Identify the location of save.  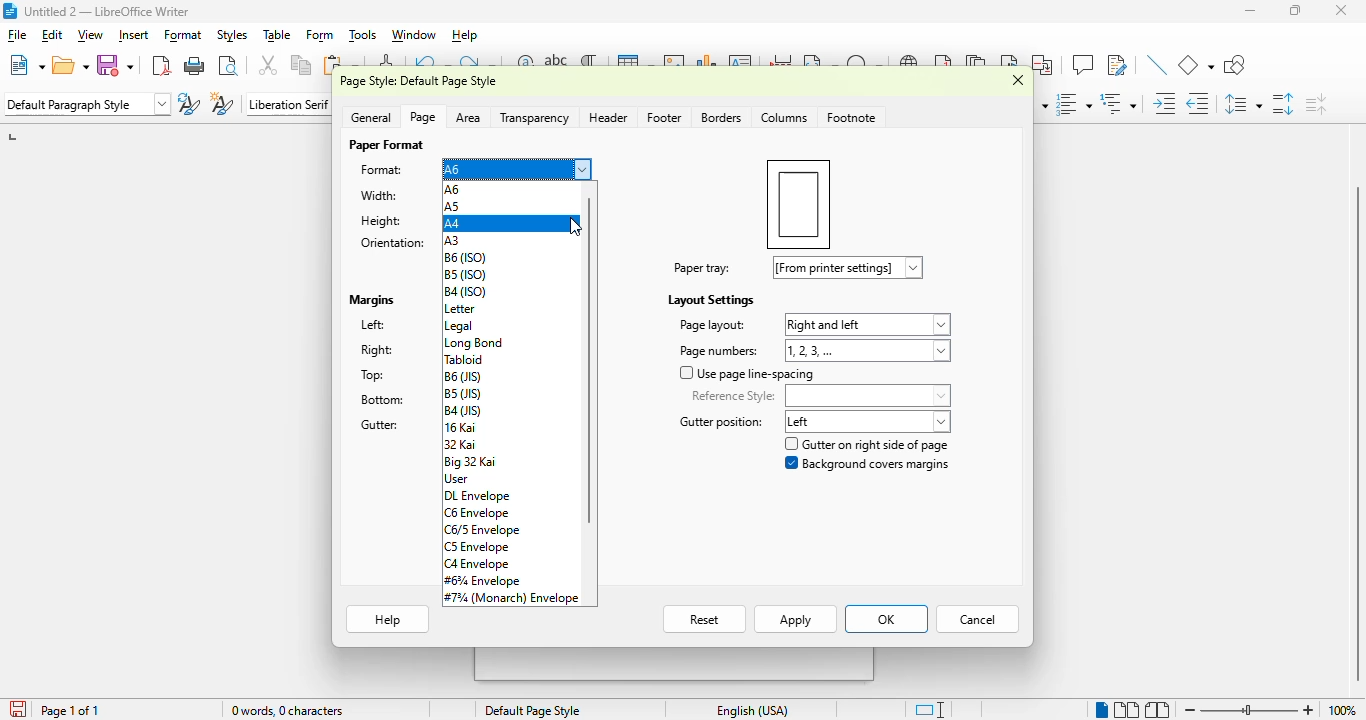
(116, 65).